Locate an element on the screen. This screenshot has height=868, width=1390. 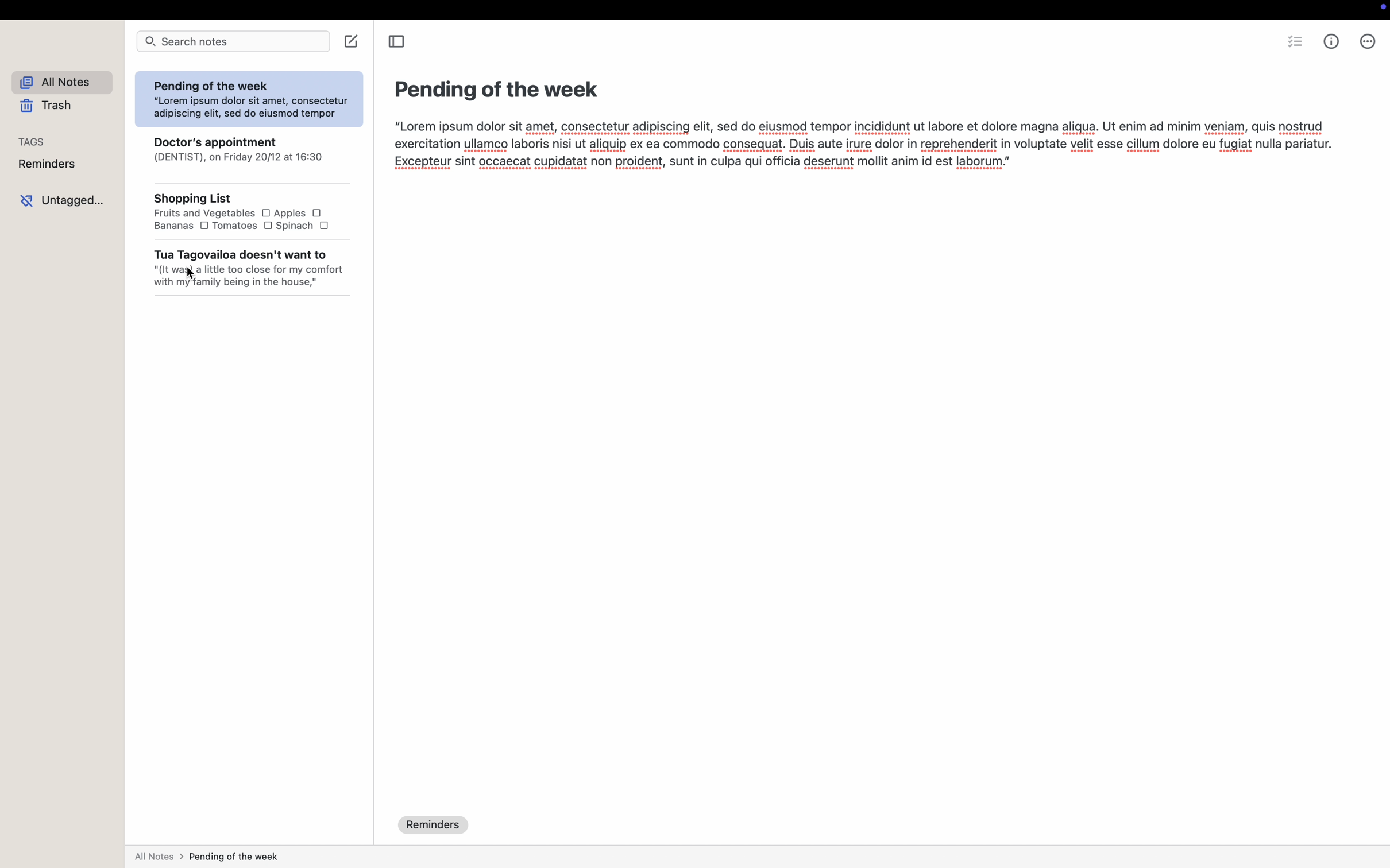
reminders is located at coordinates (48, 164).